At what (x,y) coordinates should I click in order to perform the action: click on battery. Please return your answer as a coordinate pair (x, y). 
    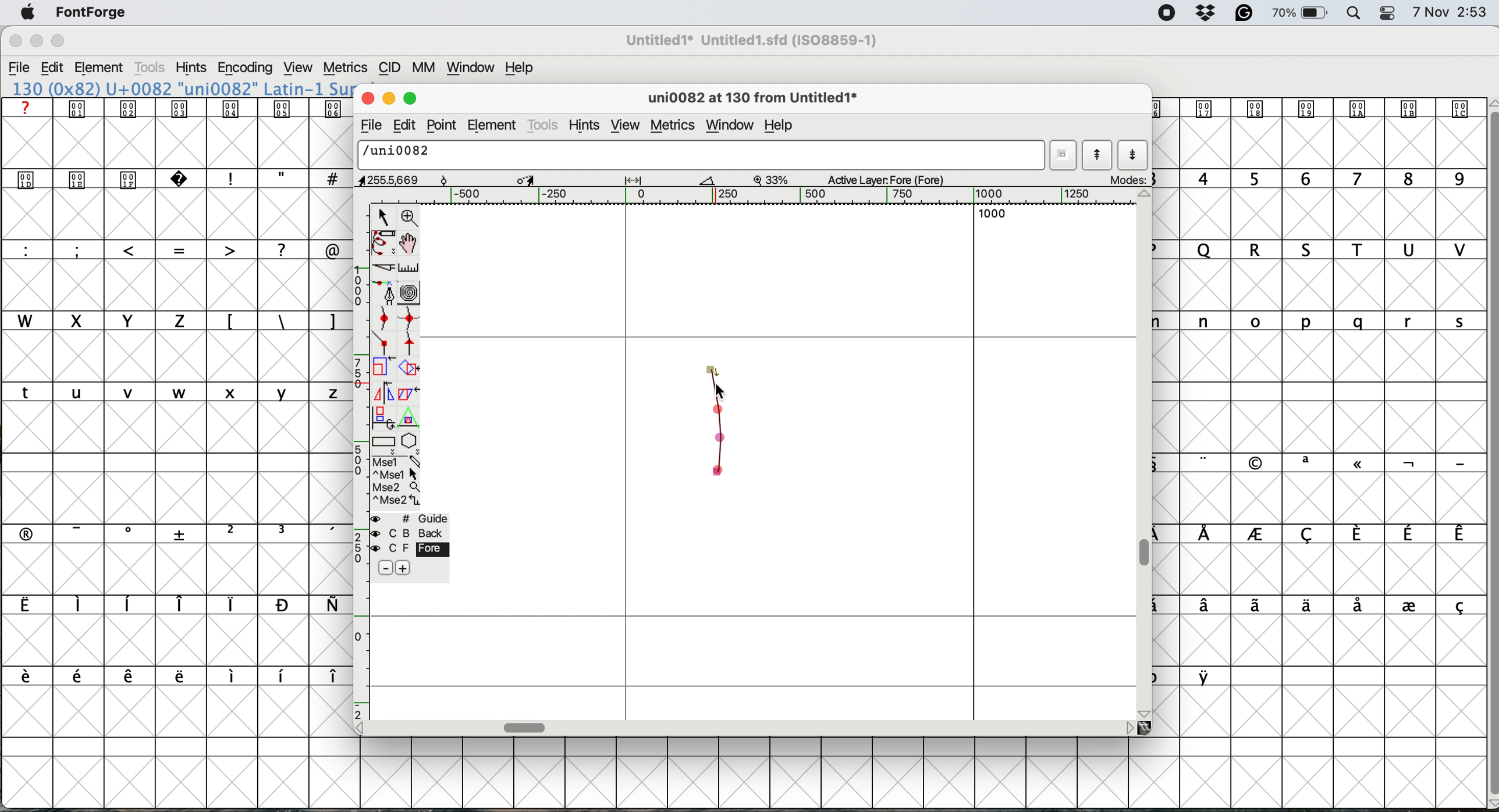
    Looking at the image, I should click on (1302, 13).